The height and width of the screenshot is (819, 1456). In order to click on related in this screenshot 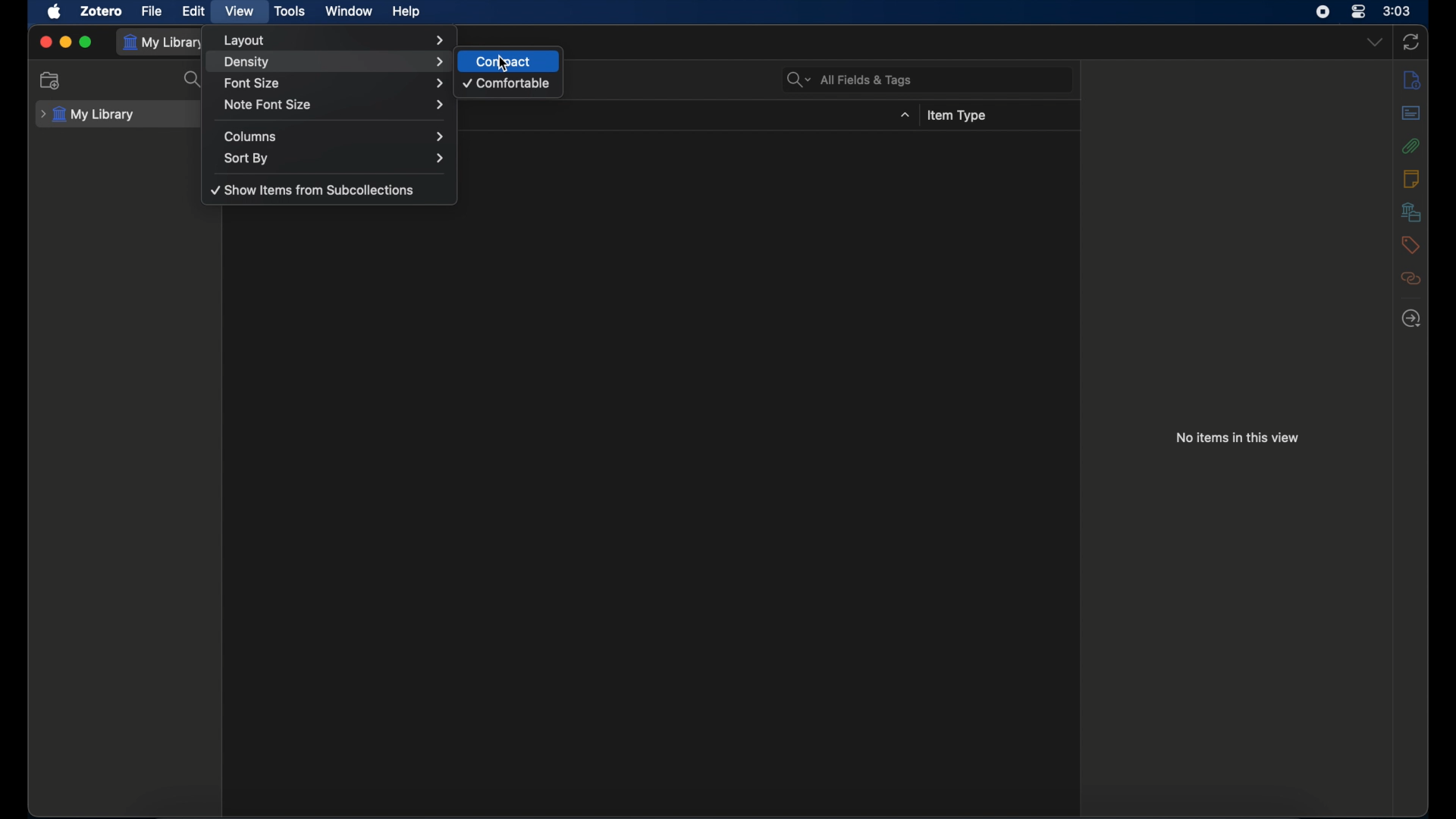, I will do `click(1411, 278)`.